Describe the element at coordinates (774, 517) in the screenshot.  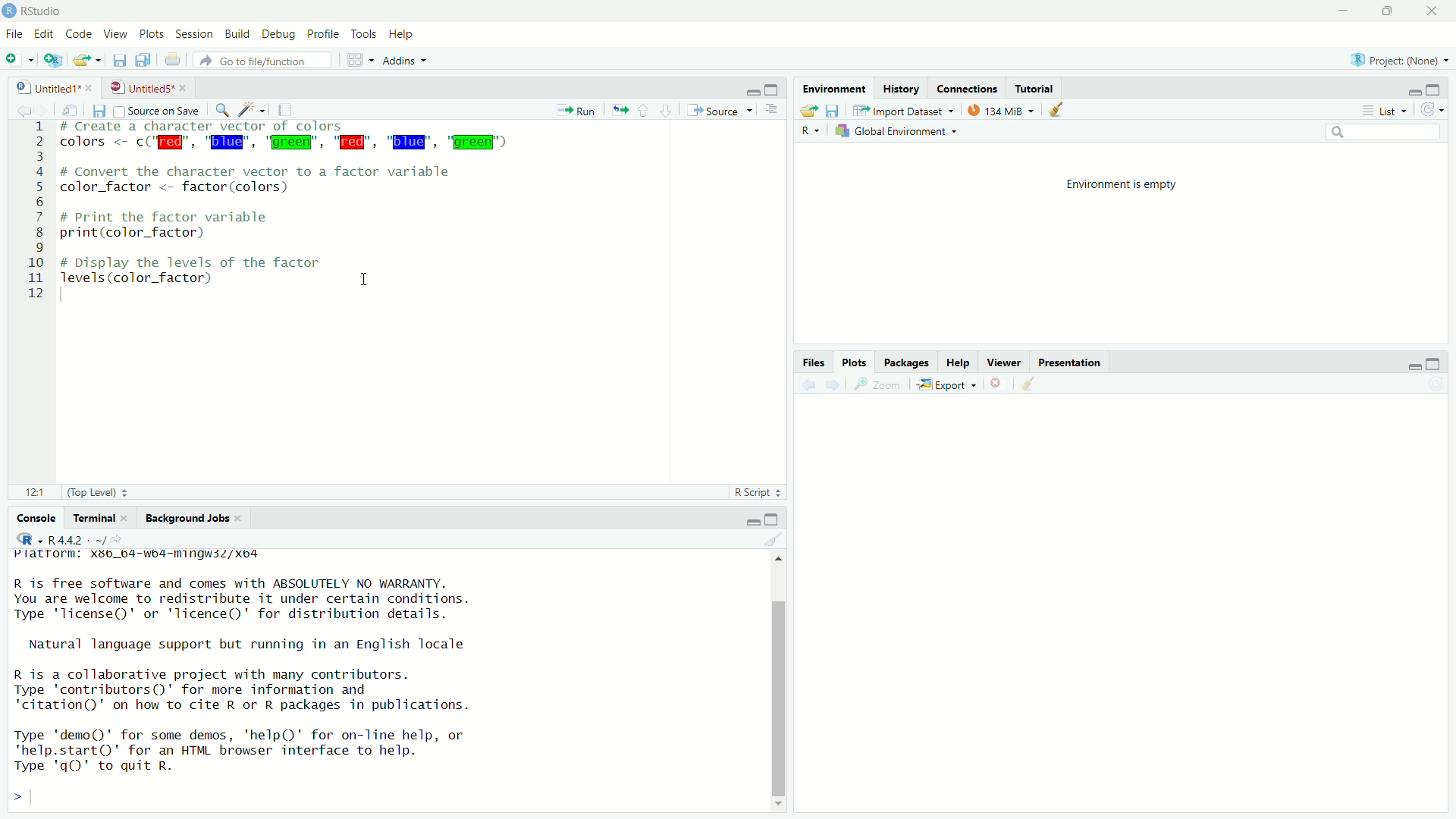
I see `maximize` at that location.